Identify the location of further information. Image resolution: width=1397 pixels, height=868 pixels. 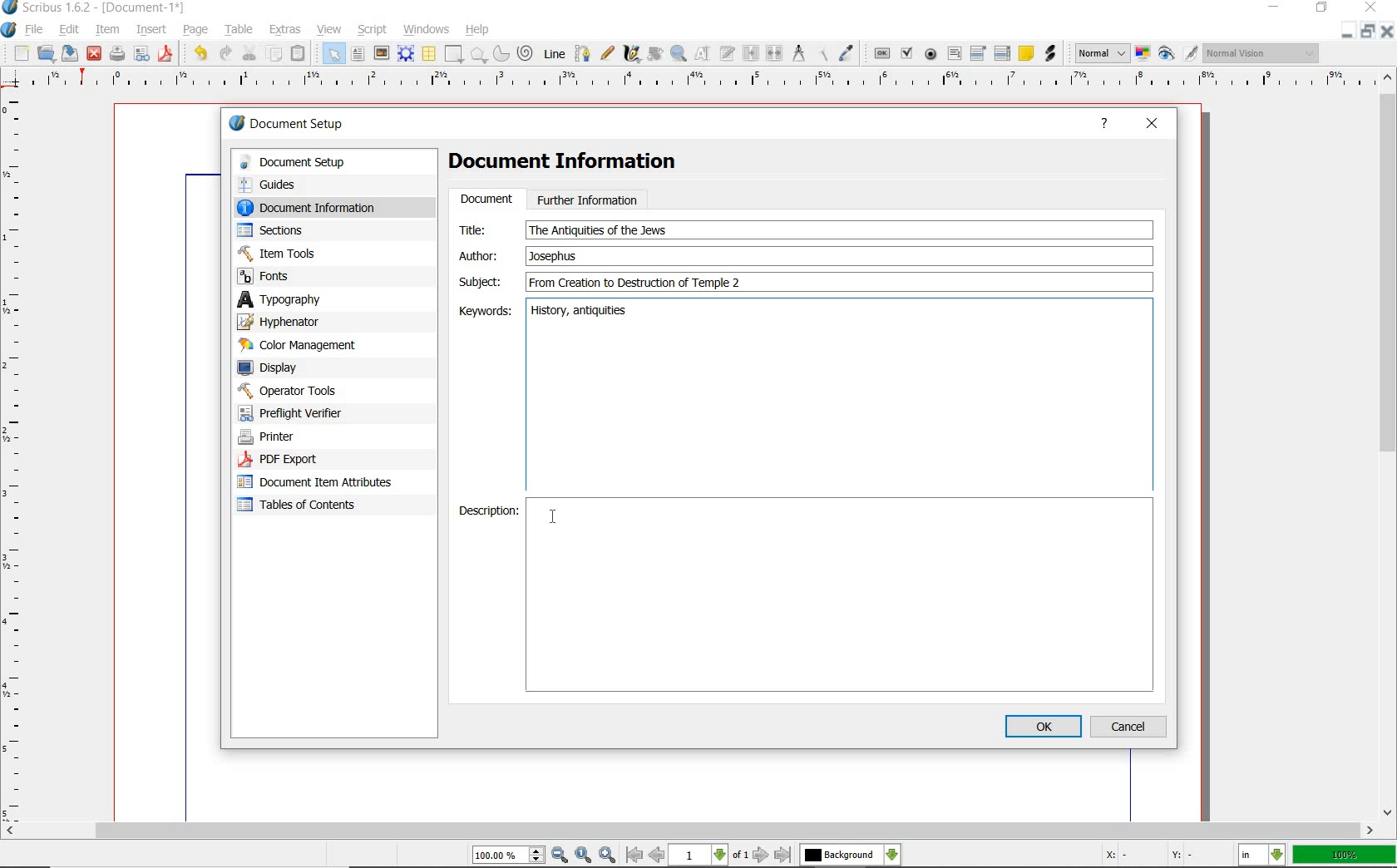
(588, 199).